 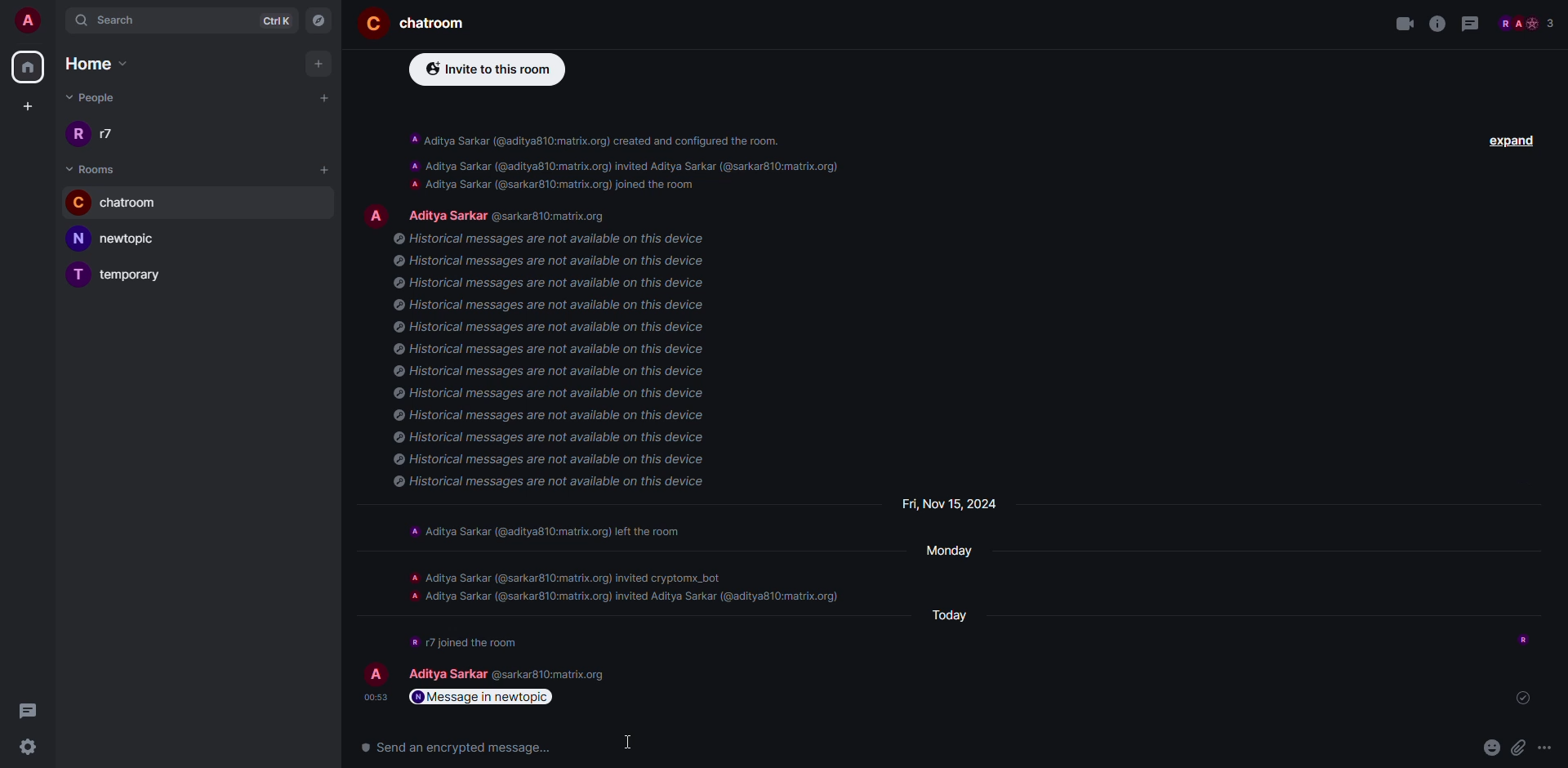 What do you see at coordinates (484, 697) in the screenshot?
I see `message in new topic` at bounding box center [484, 697].